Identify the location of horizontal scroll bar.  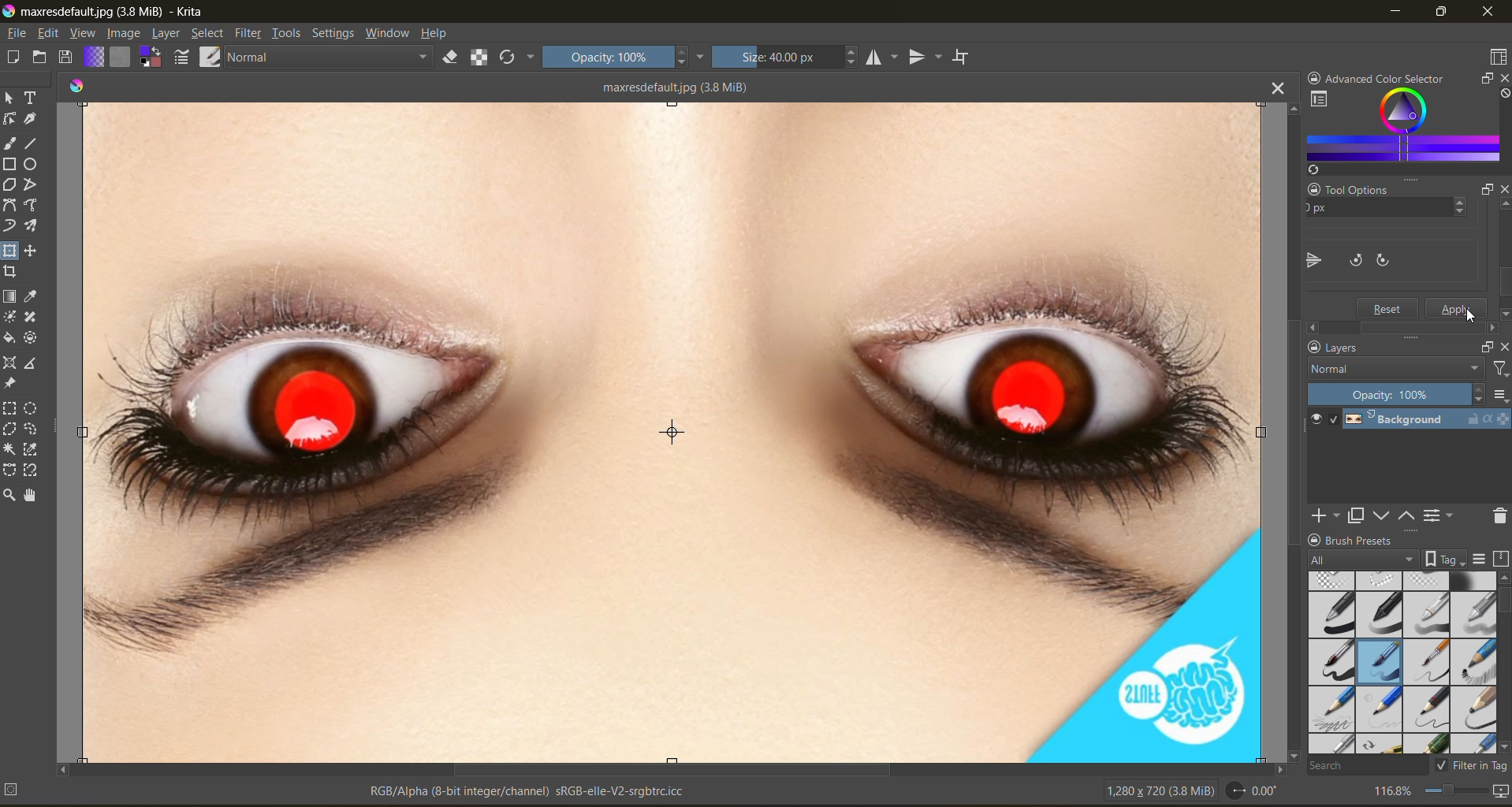
(672, 767).